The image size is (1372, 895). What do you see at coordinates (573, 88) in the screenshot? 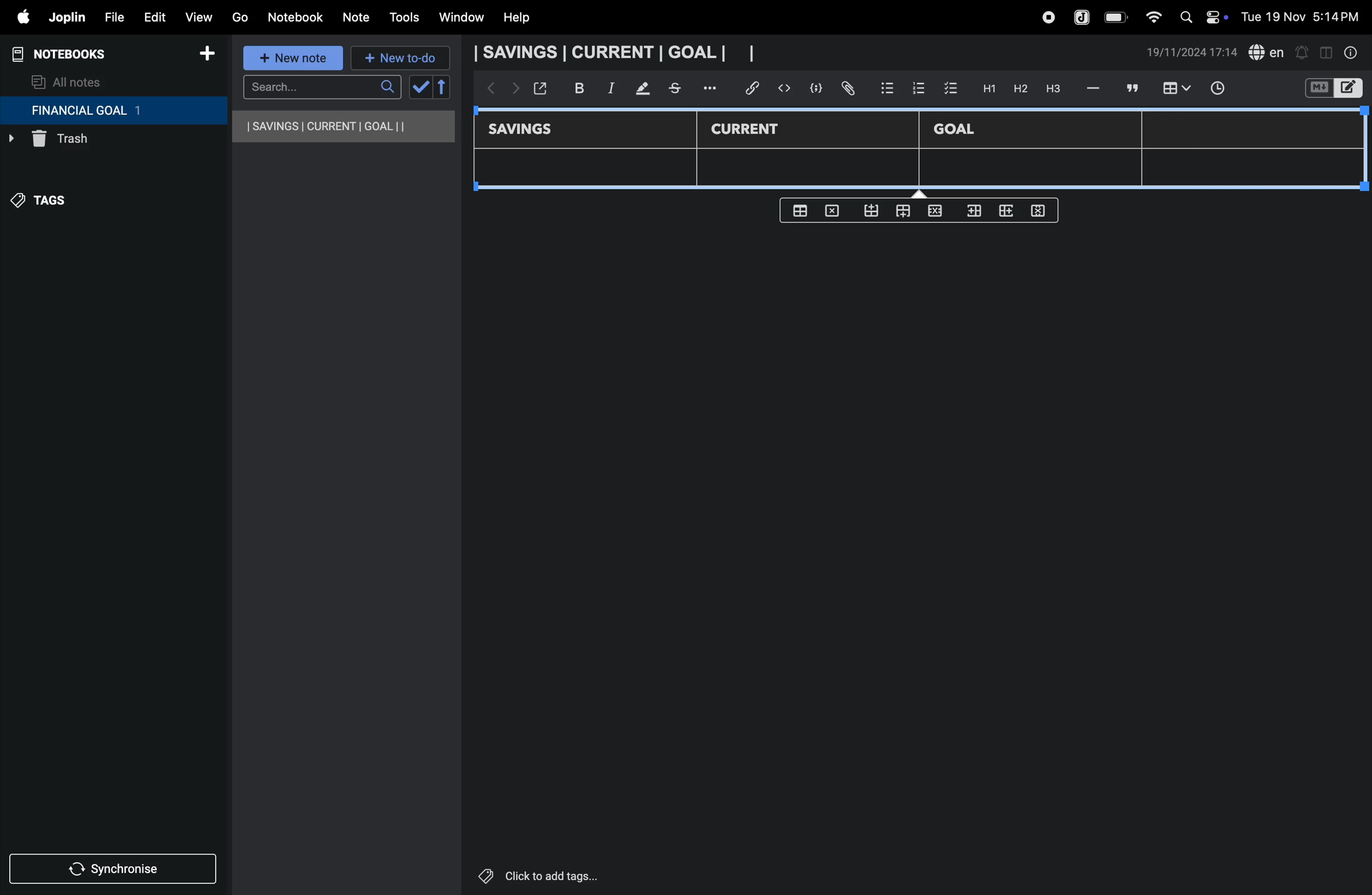
I see `bold` at bounding box center [573, 88].